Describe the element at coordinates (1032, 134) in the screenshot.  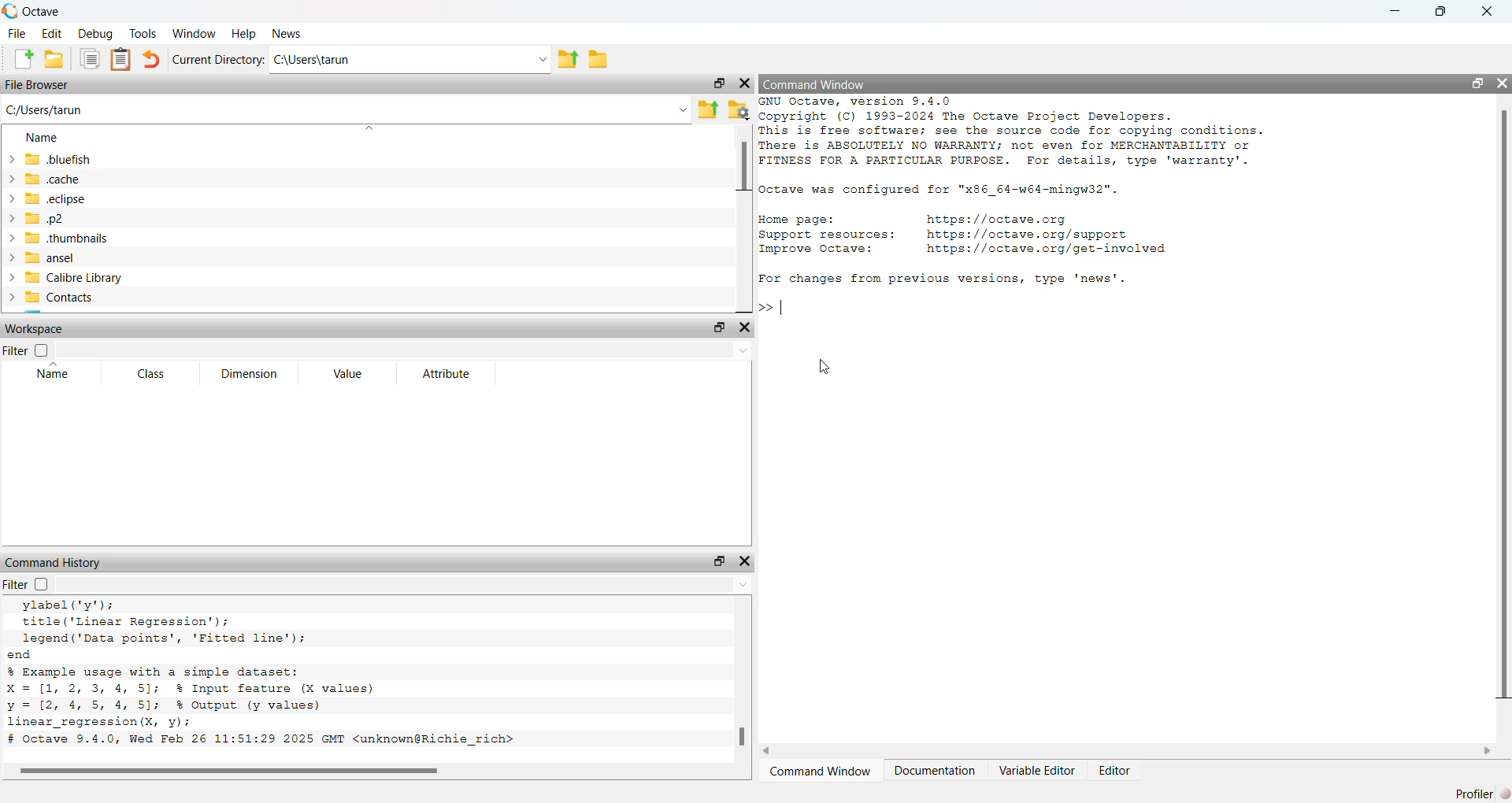
I see `details of octave version and copyright` at that location.